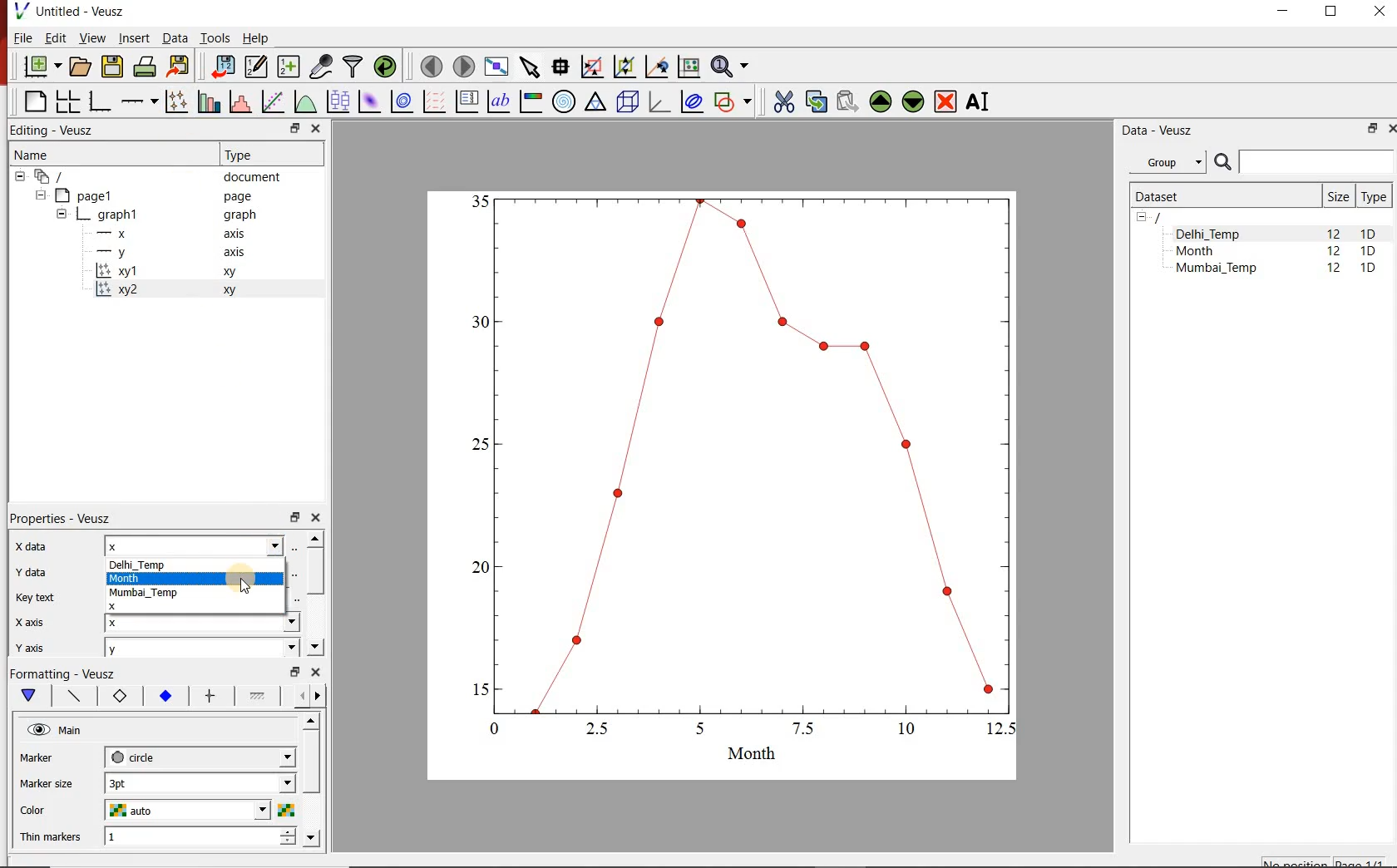 The image size is (1397, 868). What do you see at coordinates (111, 67) in the screenshot?
I see `save the document` at bounding box center [111, 67].